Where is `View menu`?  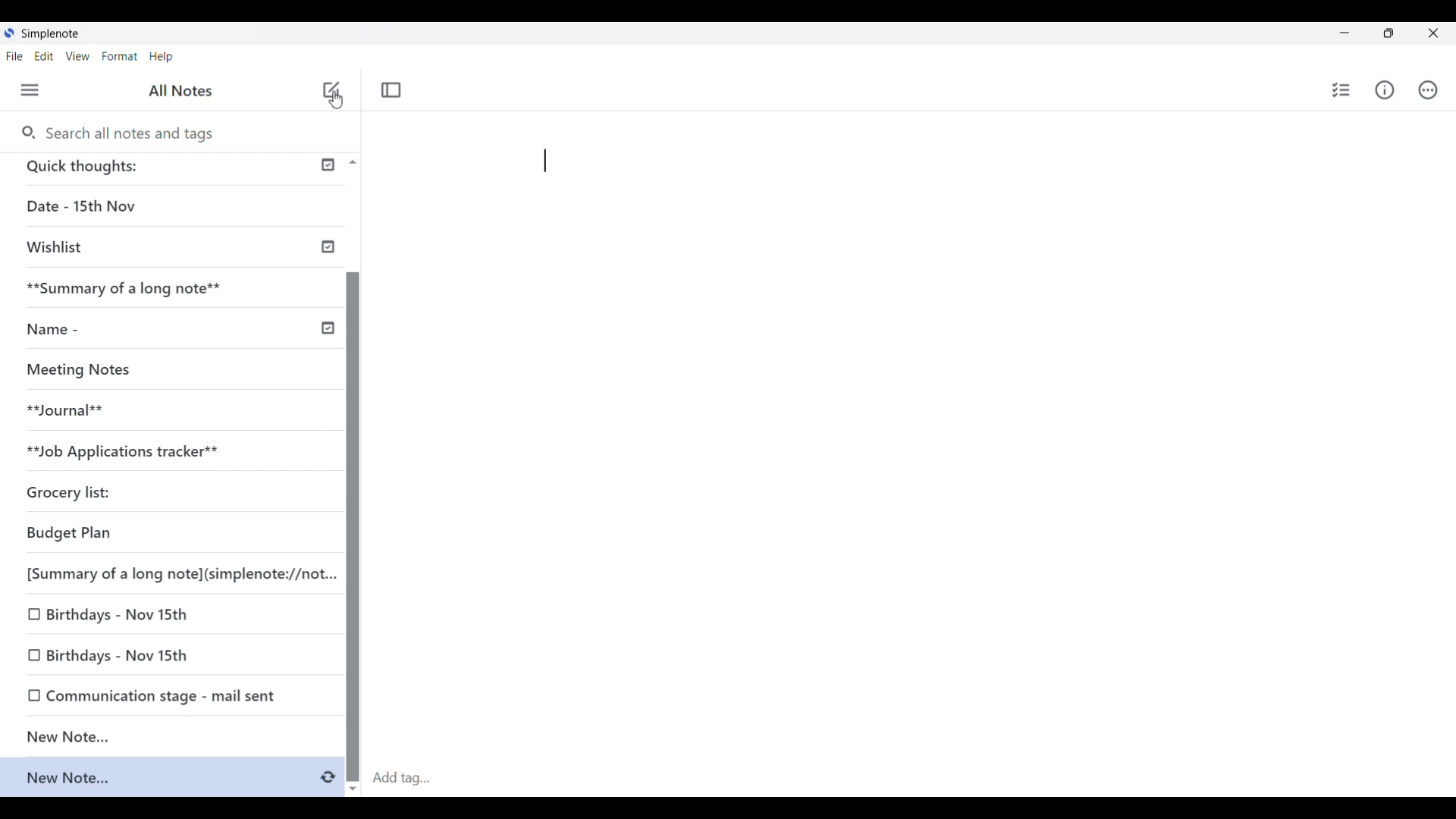 View menu is located at coordinates (78, 56).